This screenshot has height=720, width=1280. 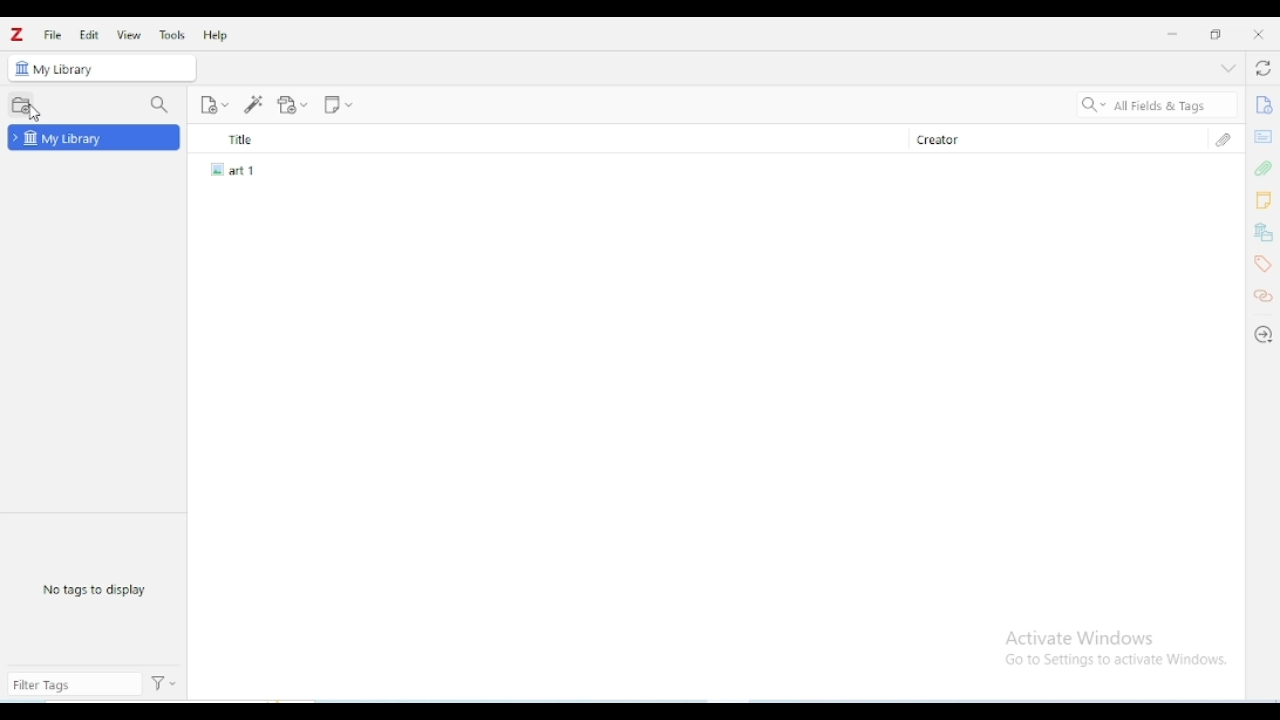 What do you see at coordinates (160, 104) in the screenshot?
I see `filter collections` at bounding box center [160, 104].